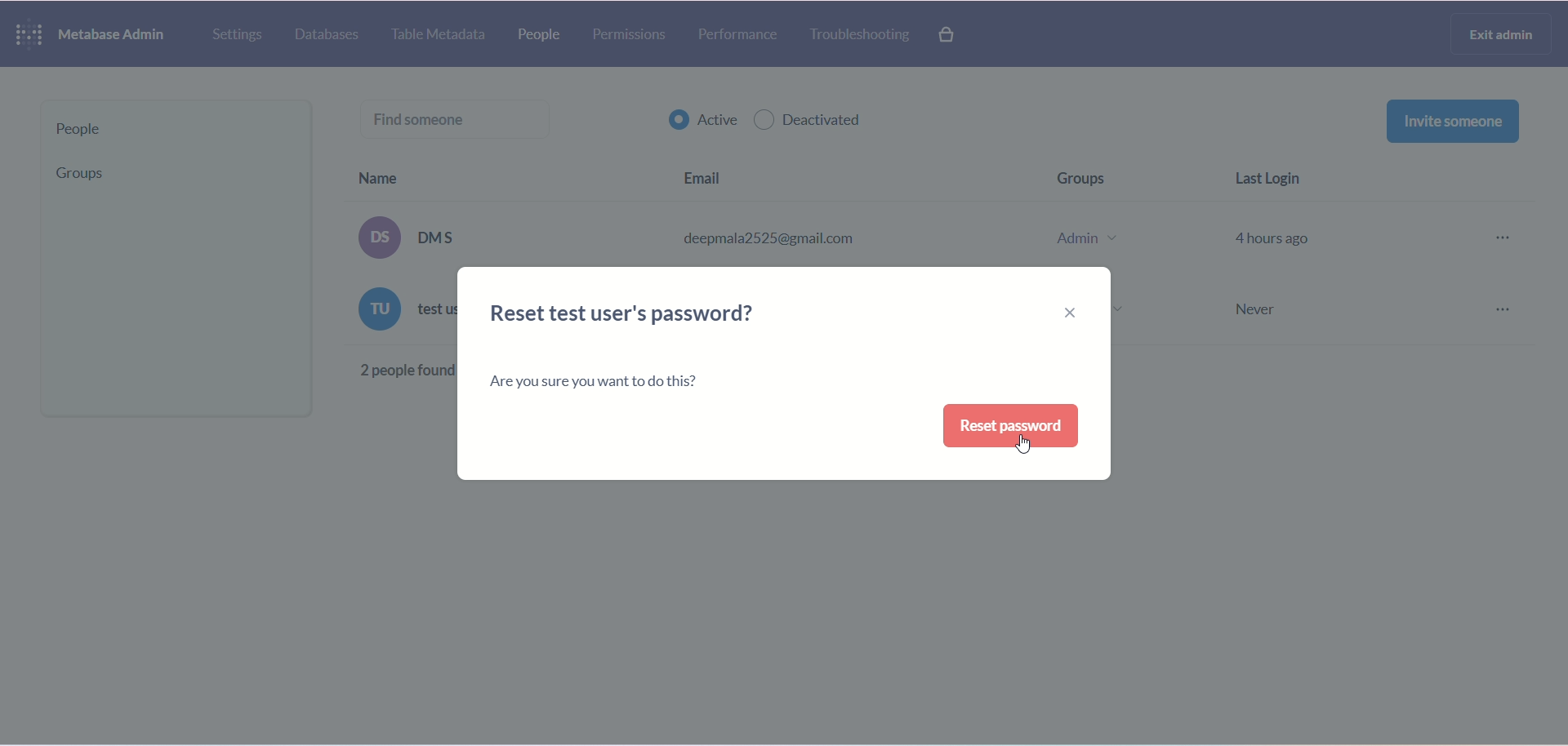 This screenshot has height=746, width=1568. Describe the element at coordinates (703, 123) in the screenshot. I see `active` at that location.